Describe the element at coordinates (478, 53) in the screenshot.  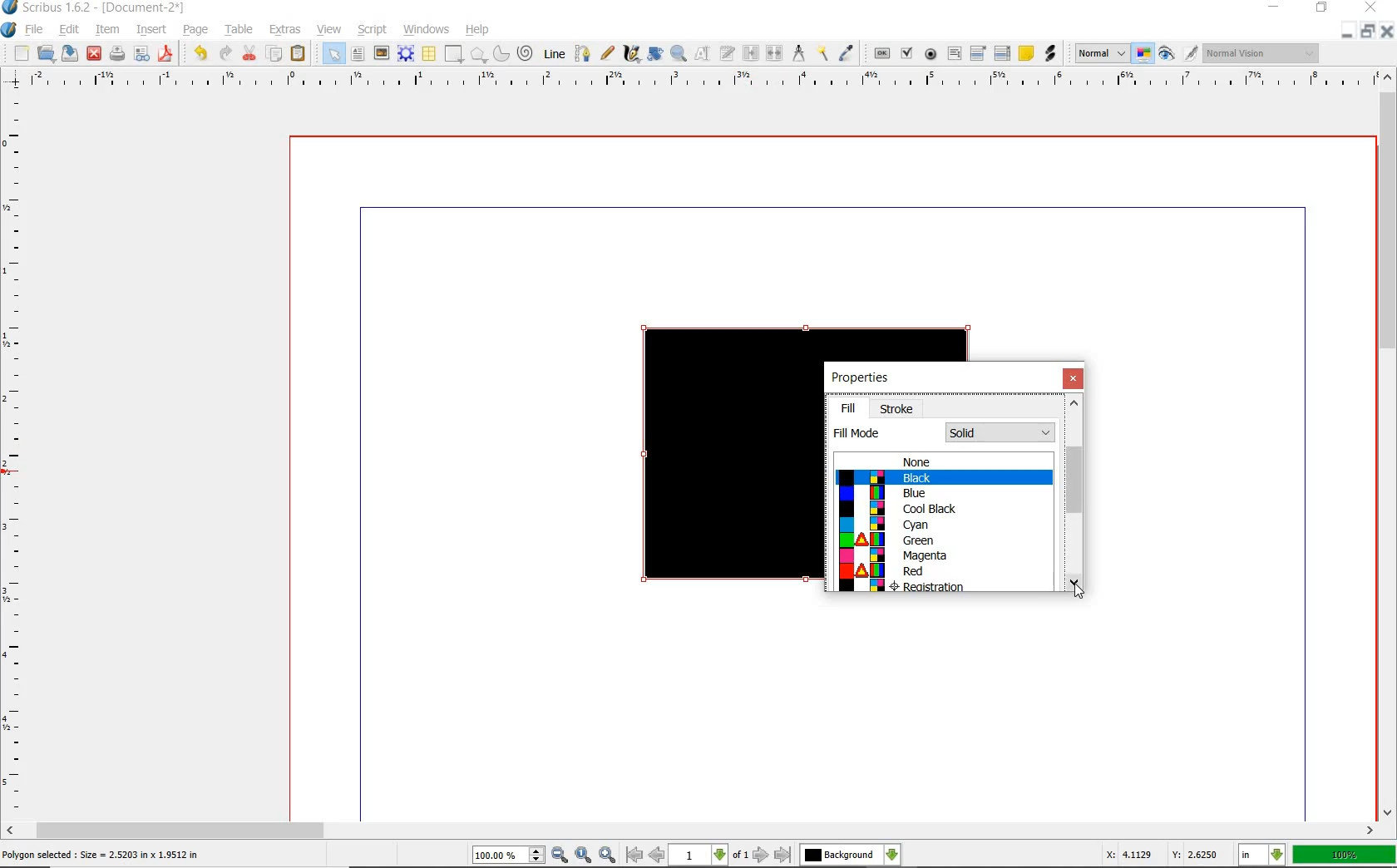
I see `polygon` at that location.